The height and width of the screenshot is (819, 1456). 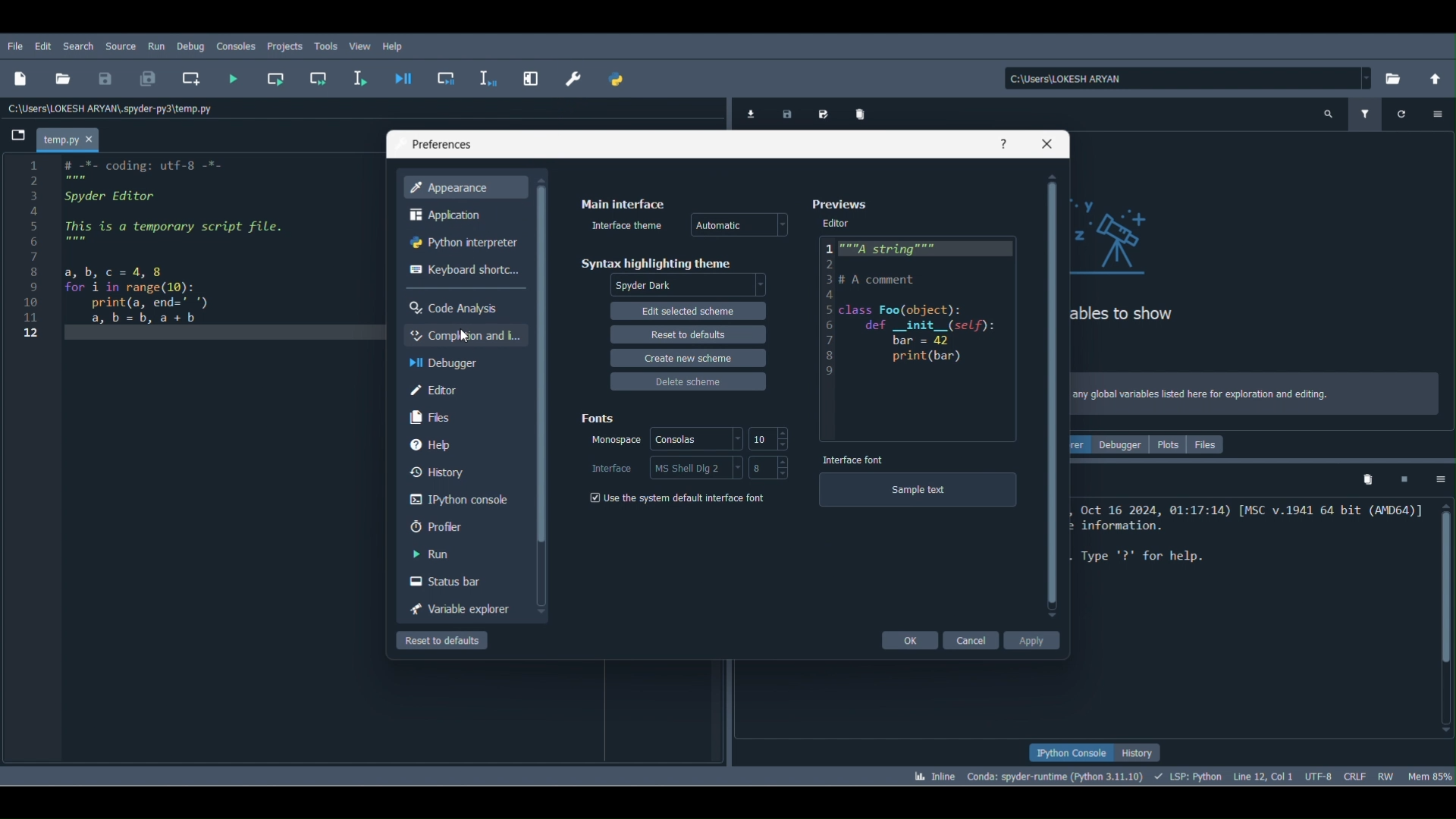 I want to click on Debug cell, so click(x=453, y=80).